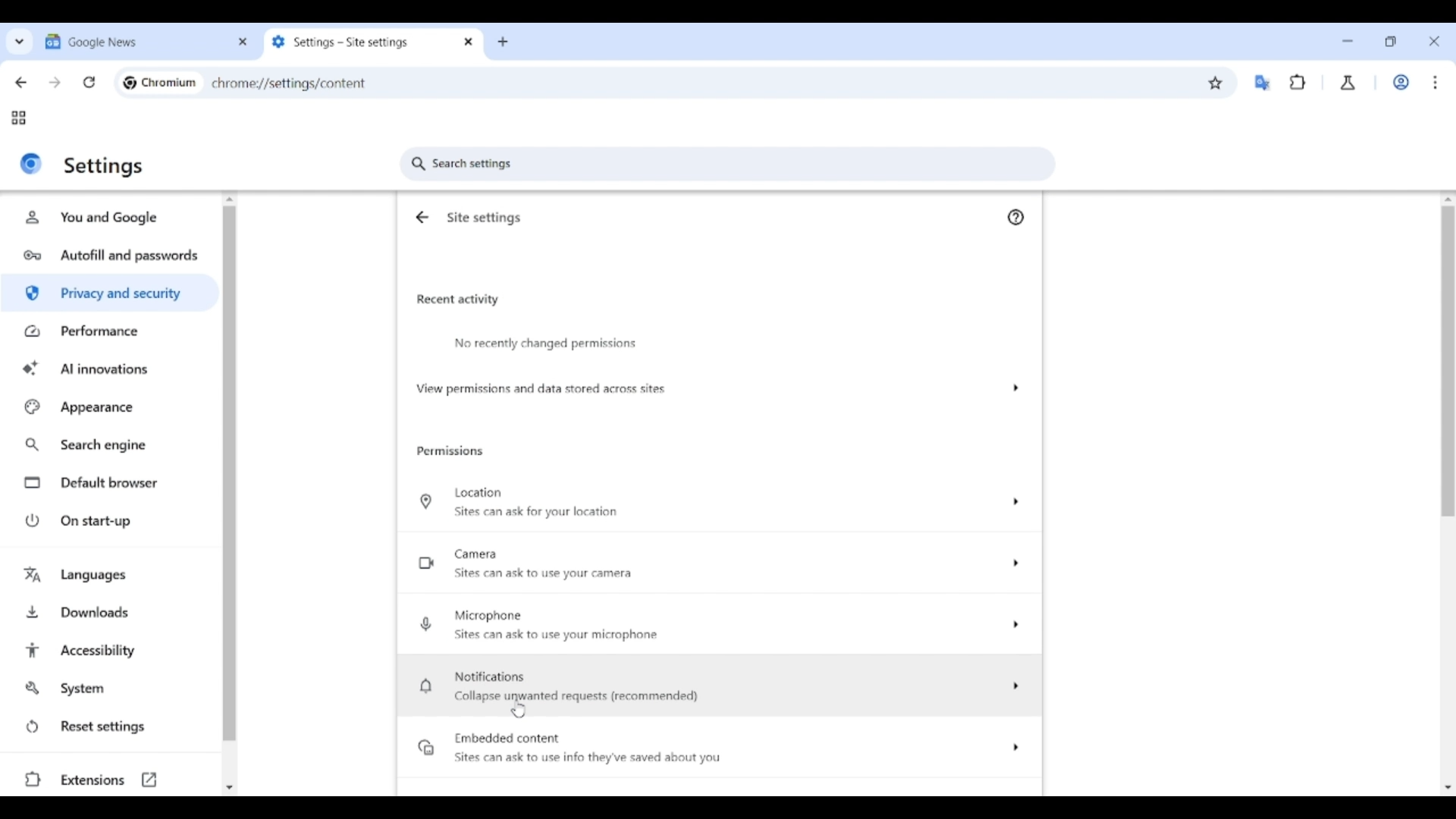 This screenshot has height=819, width=1456. I want to click on AI innovations, so click(111, 367).